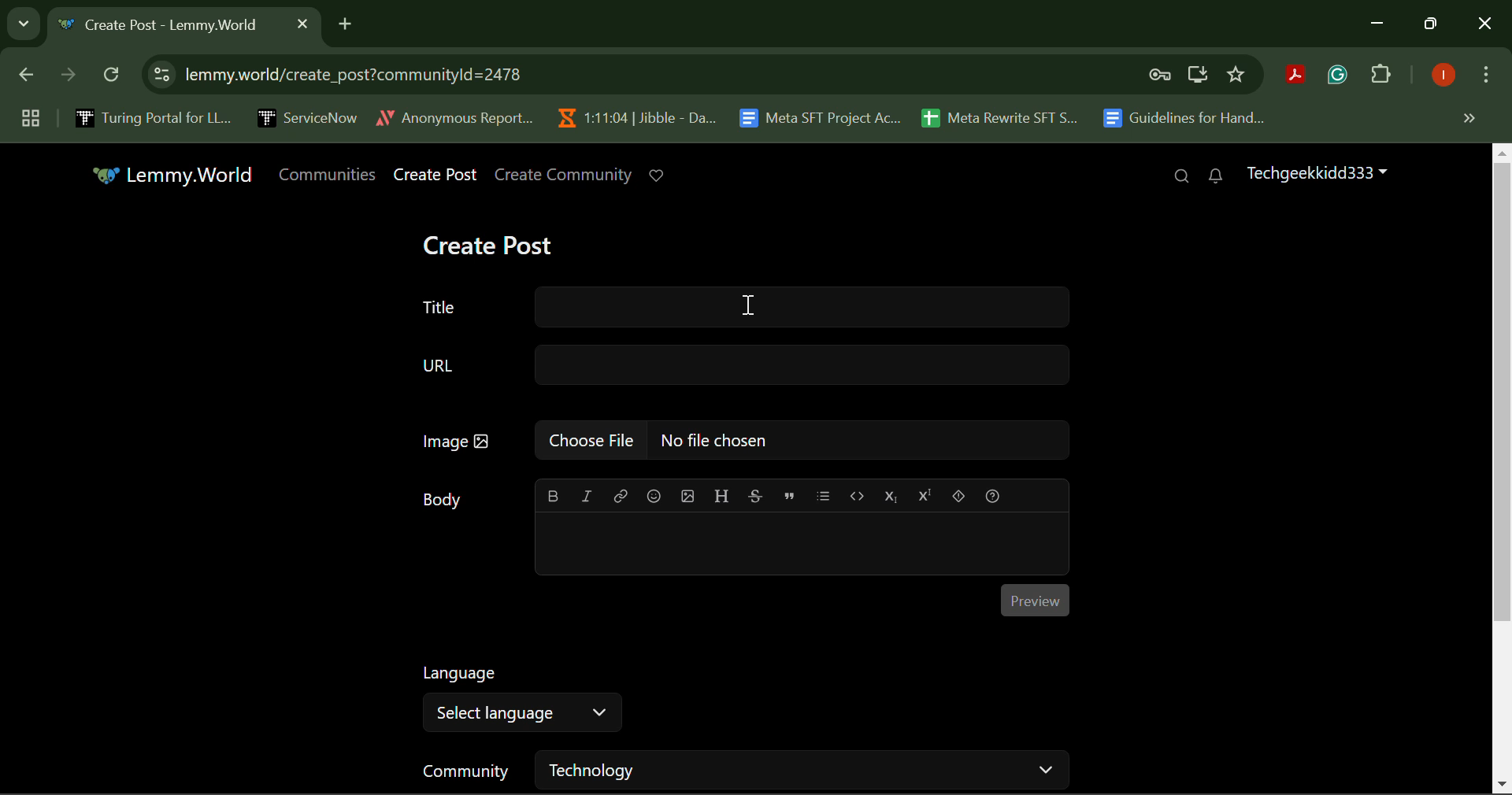 This screenshot has width=1512, height=795. Describe the element at coordinates (454, 115) in the screenshot. I see `Anonymous Report` at that location.